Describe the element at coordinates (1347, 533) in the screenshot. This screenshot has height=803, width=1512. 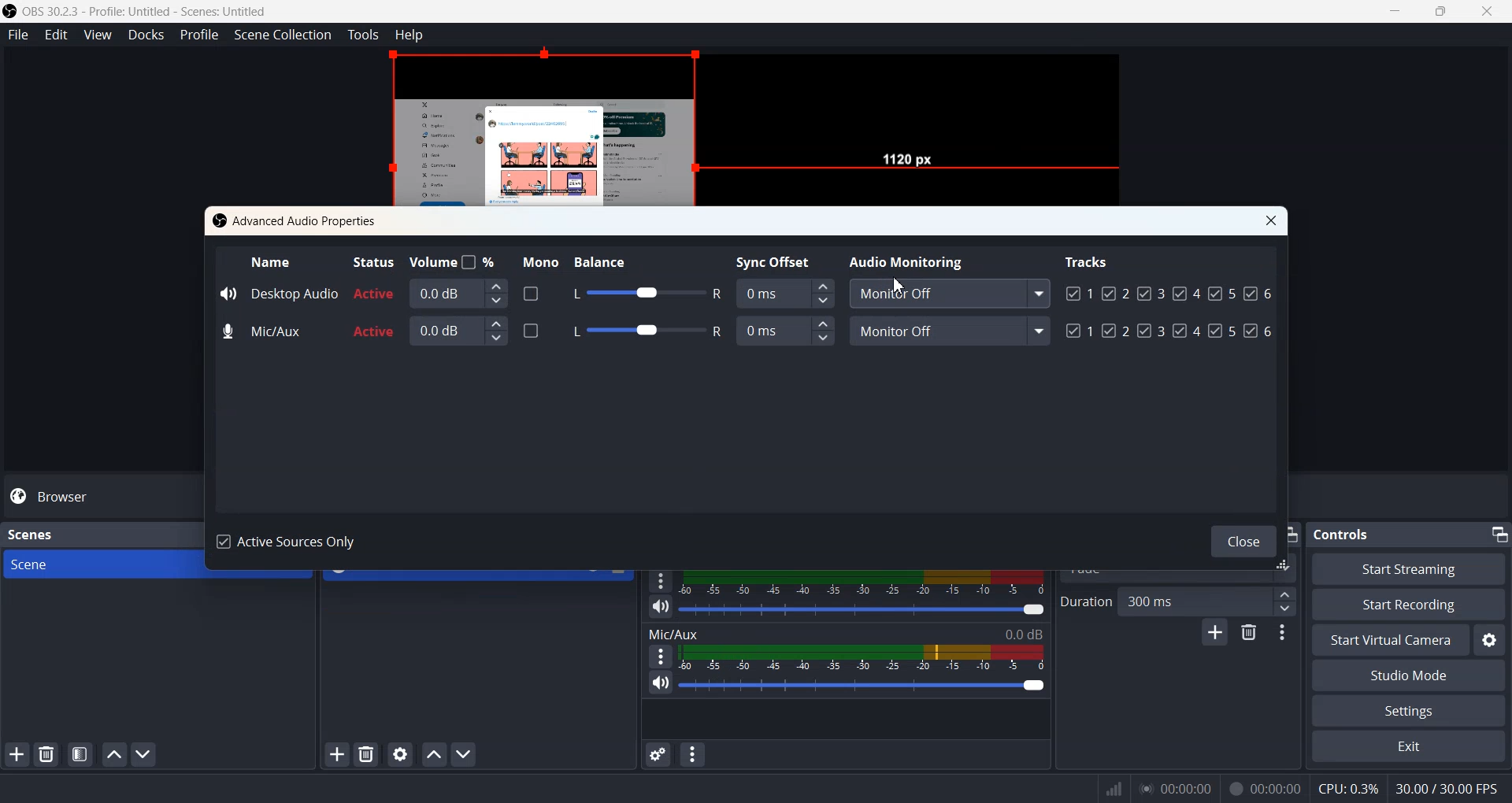
I see `Controls` at that location.